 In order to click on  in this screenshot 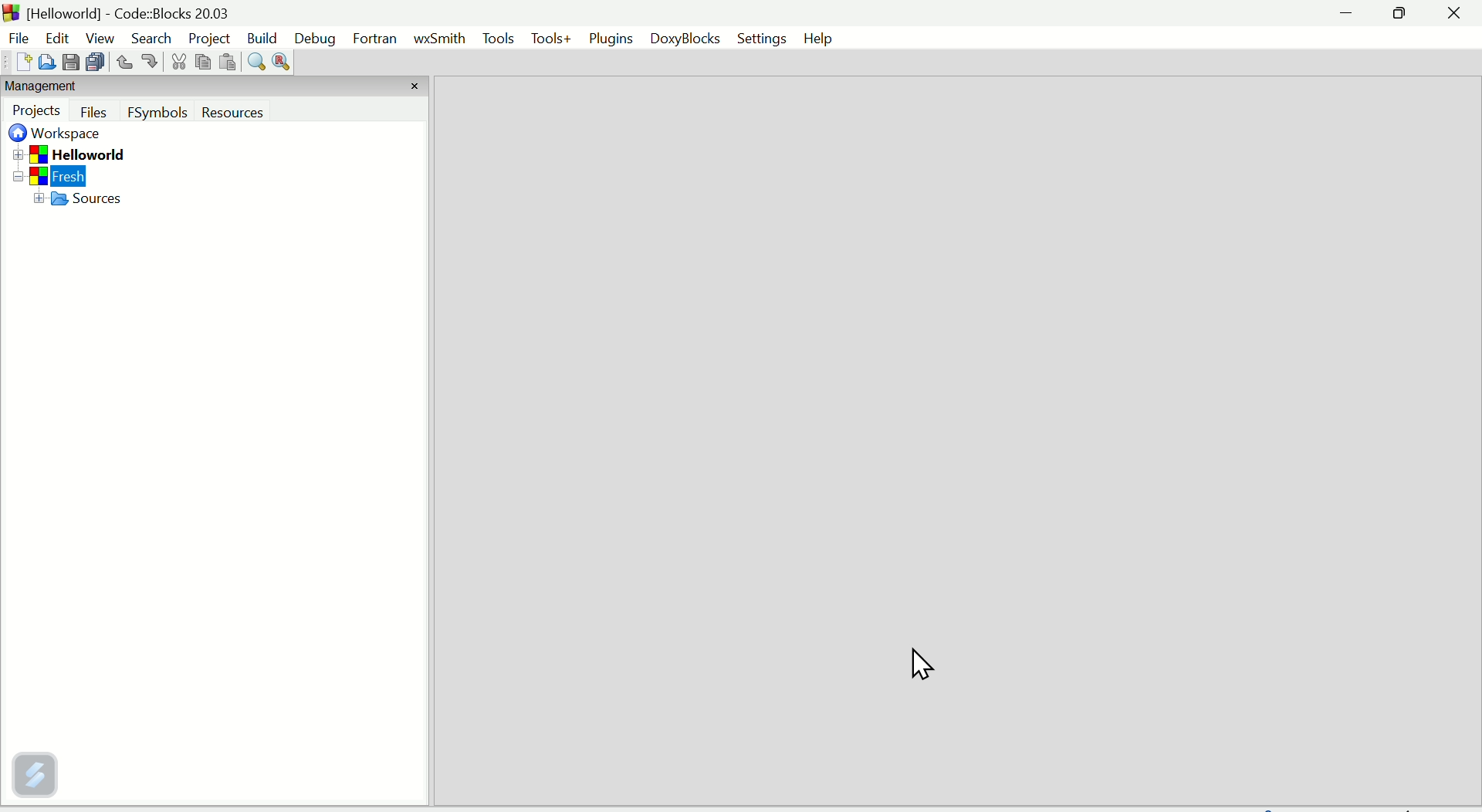, I will do `click(123, 62)`.